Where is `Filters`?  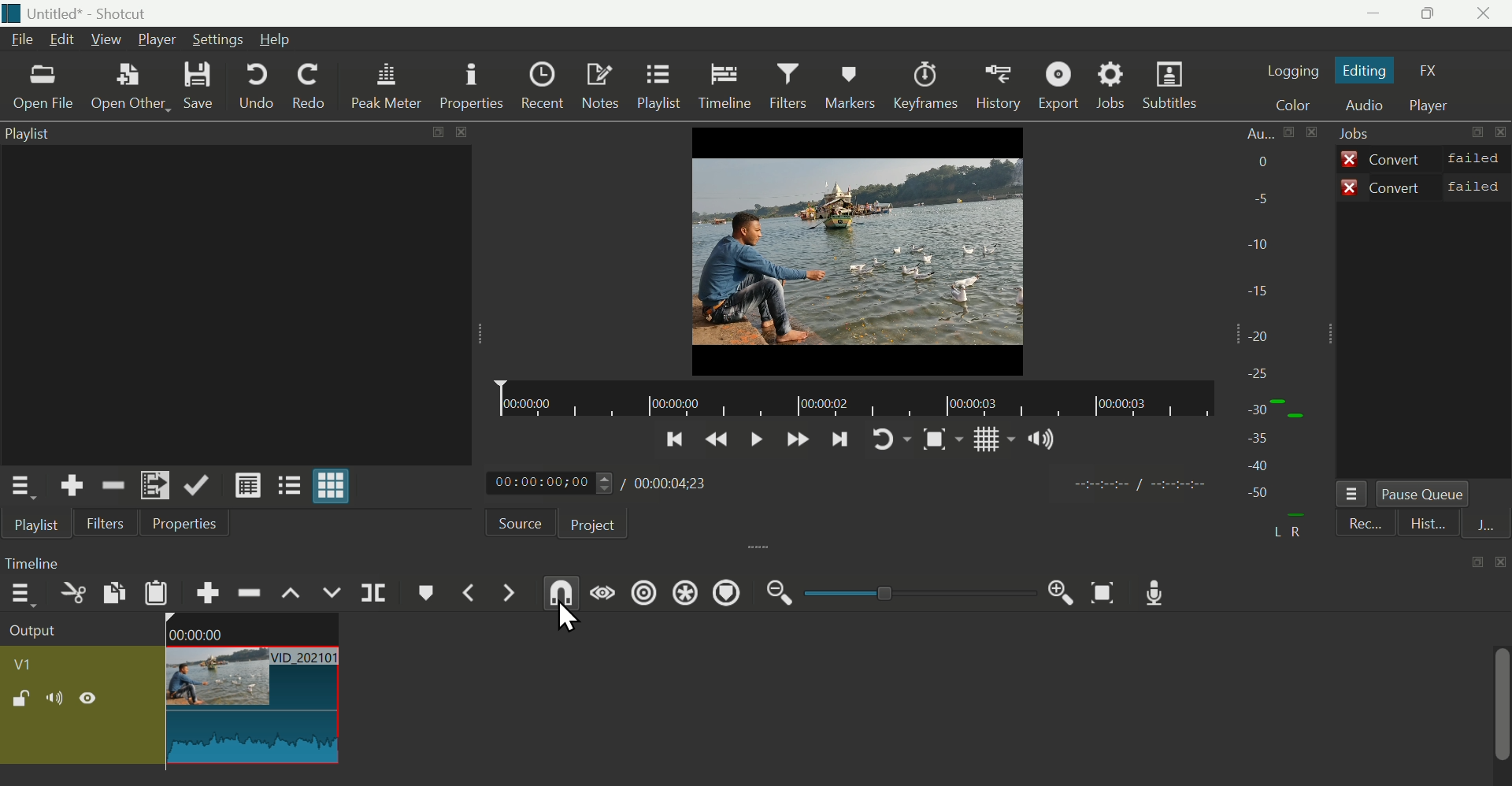
Filters is located at coordinates (787, 87).